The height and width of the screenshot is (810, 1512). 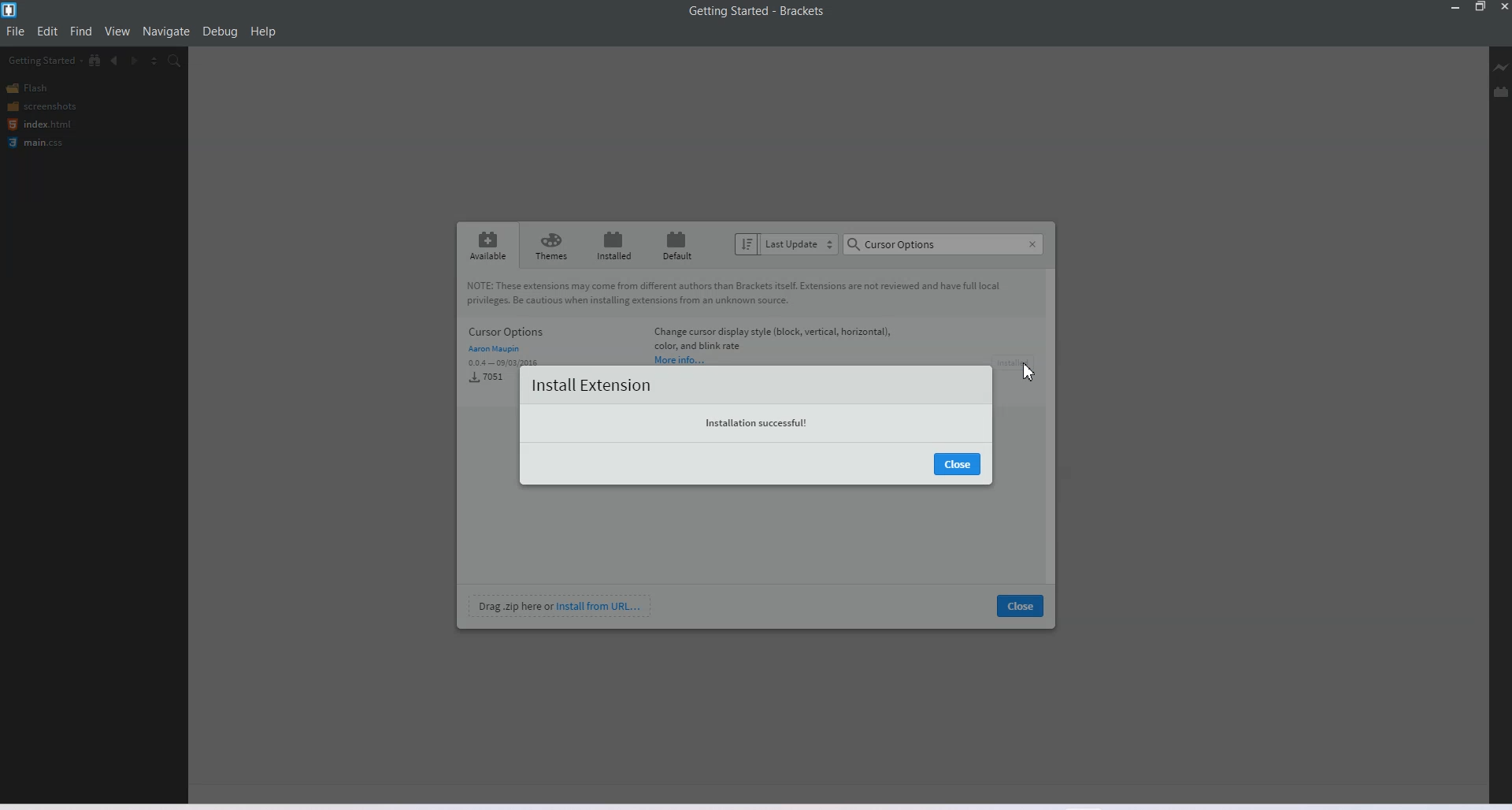 What do you see at coordinates (39, 143) in the screenshot?
I see `main.css` at bounding box center [39, 143].